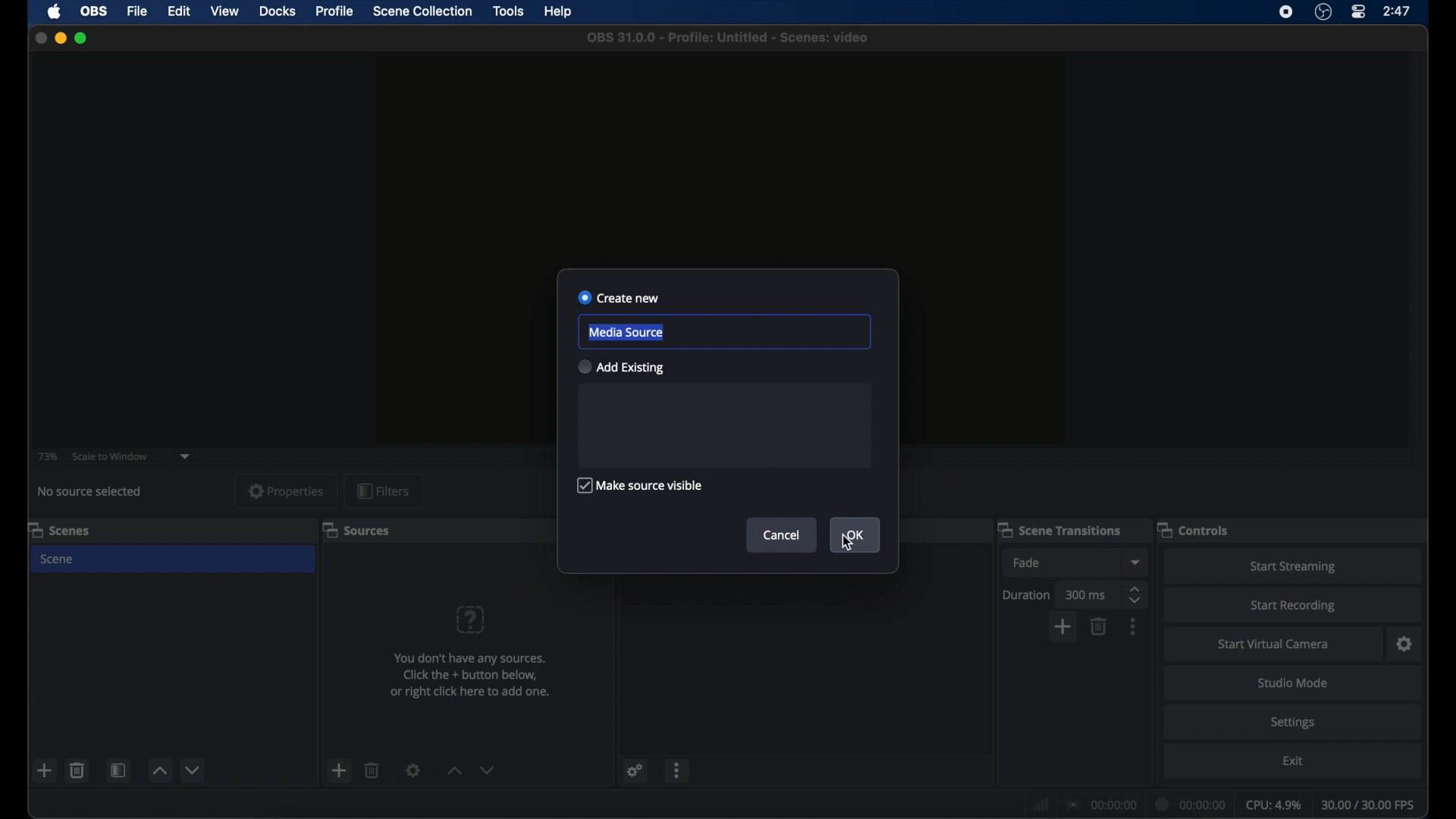 This screenshot has height=819, width=1456. What do you see at coordinates (636, 770) in the screenshot?
I see `settings` at bounding box center [636, 770].